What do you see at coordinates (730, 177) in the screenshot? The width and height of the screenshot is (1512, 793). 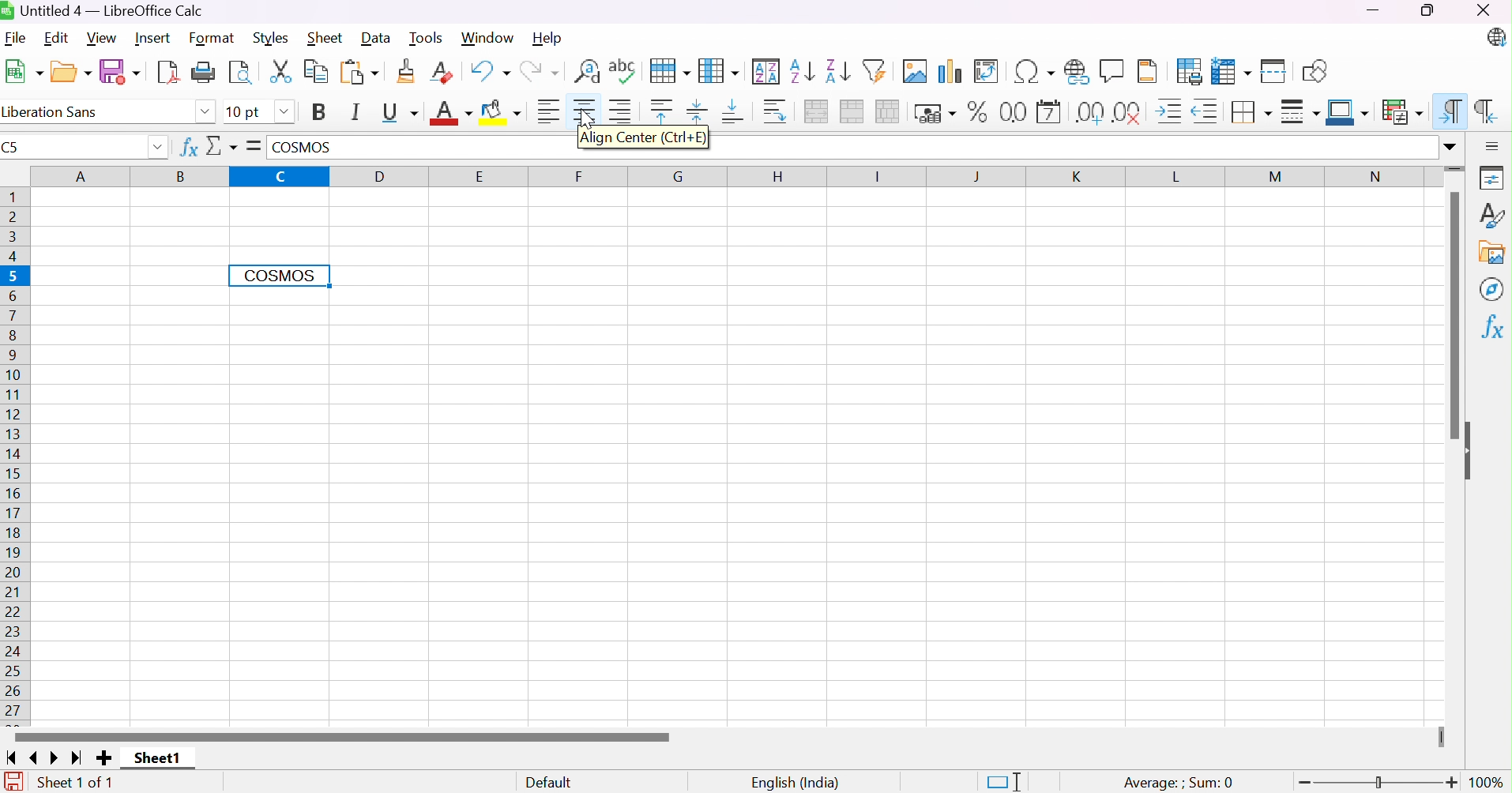 I see `Column Name` at bounding box center [730, 177].